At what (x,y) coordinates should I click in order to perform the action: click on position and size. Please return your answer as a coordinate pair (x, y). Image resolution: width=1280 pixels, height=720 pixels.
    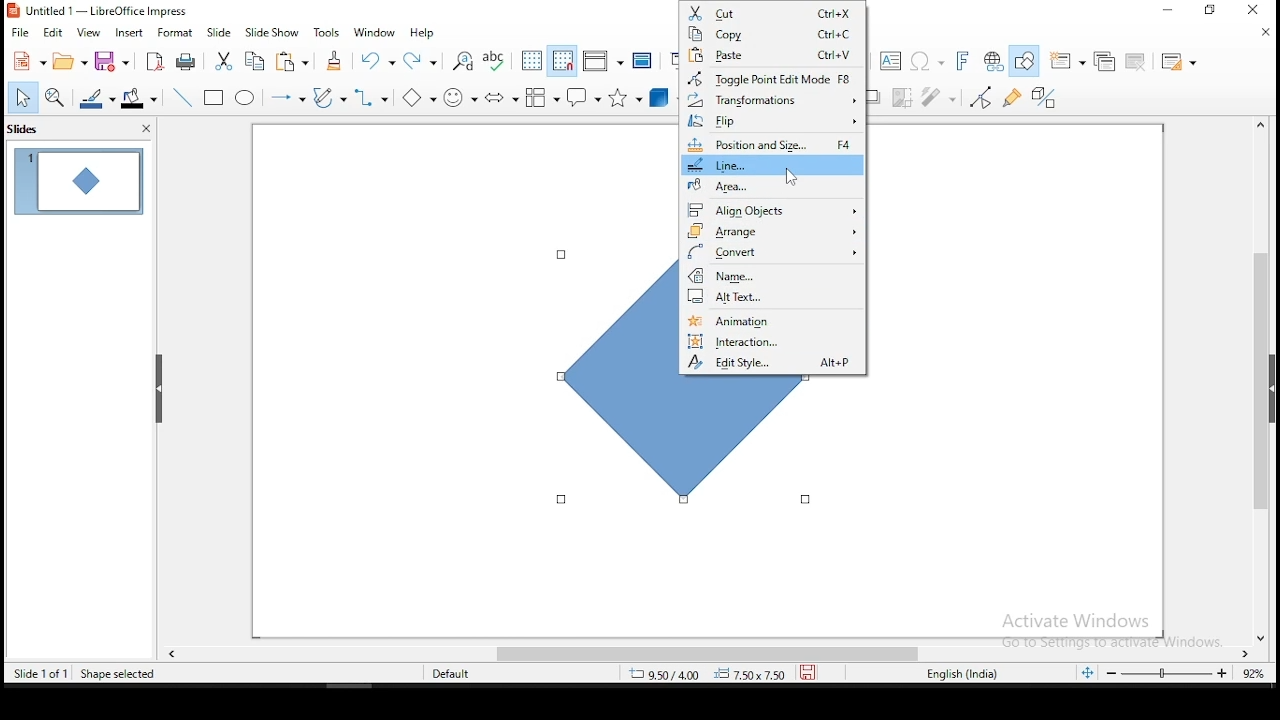
    Looking at the image, I should click on (773, 144).